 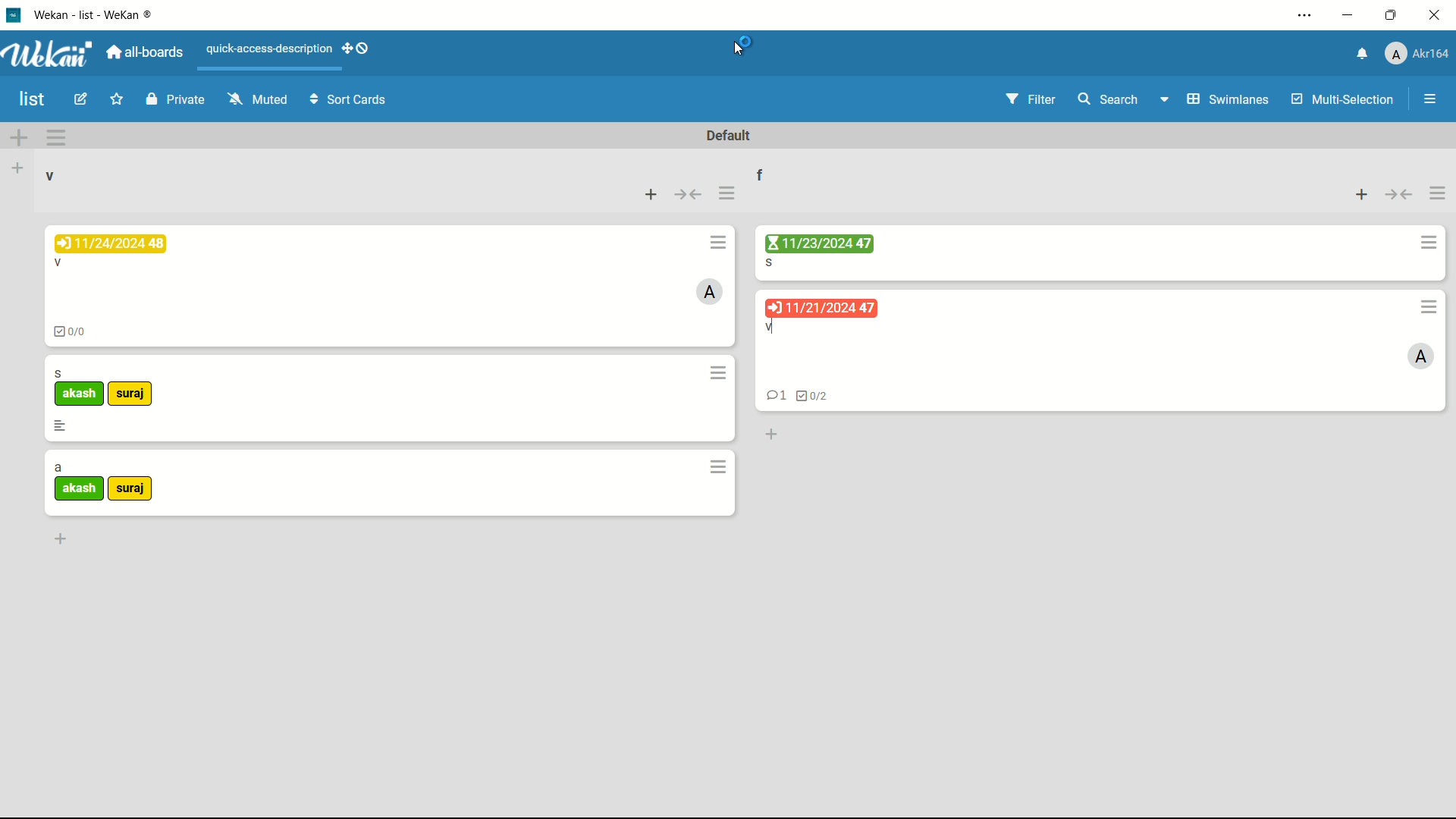 I want to click on label-1, so click(x=80, y=488).